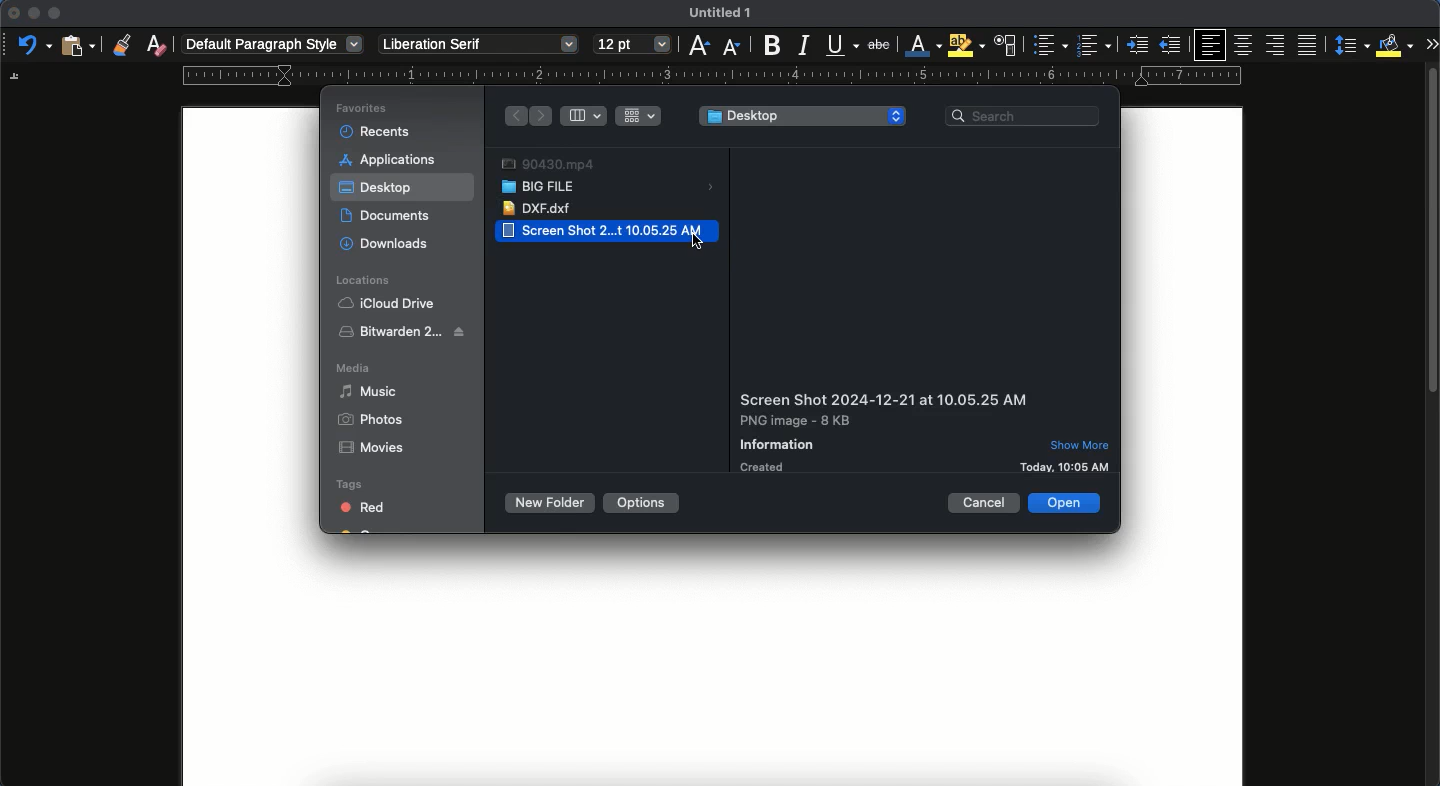 Image resolution: width=1440 pixels, height=786 pixels. Describe the element at coordinates (479, 45) in the screenshot. I see `liberation serif - font style` at that location.